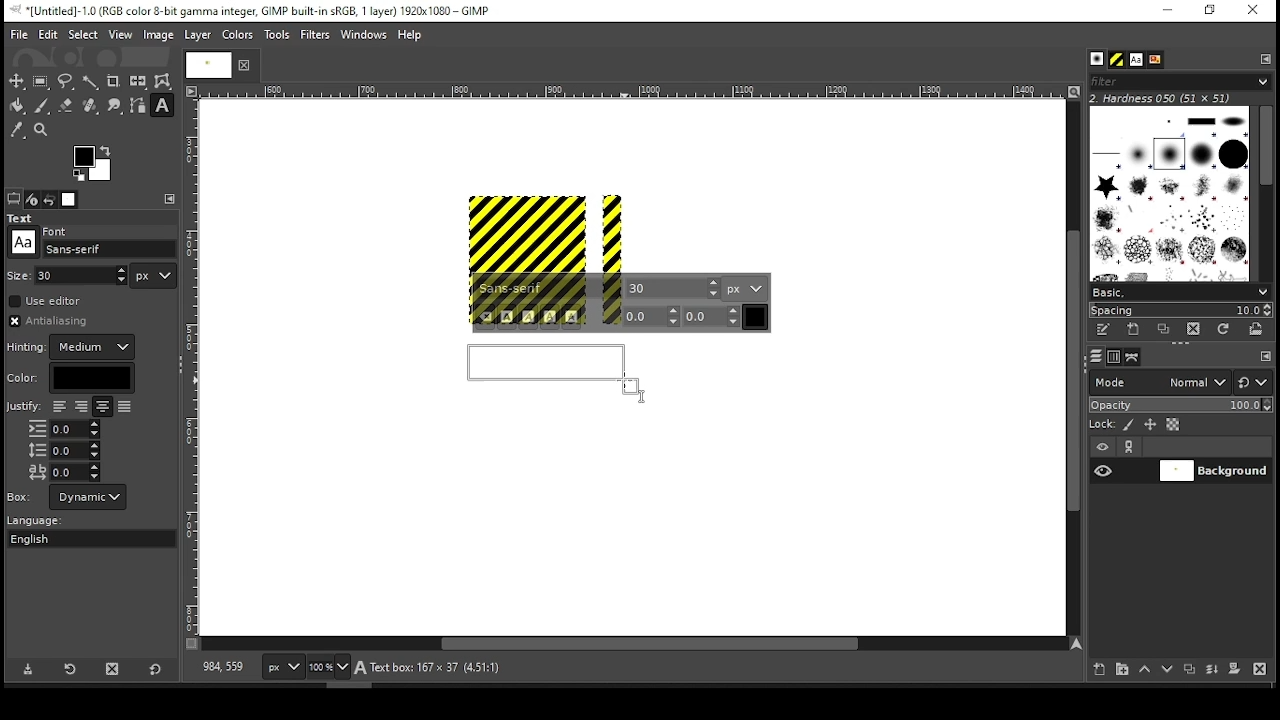  I want to click on eraser tool, so click(65, 105).